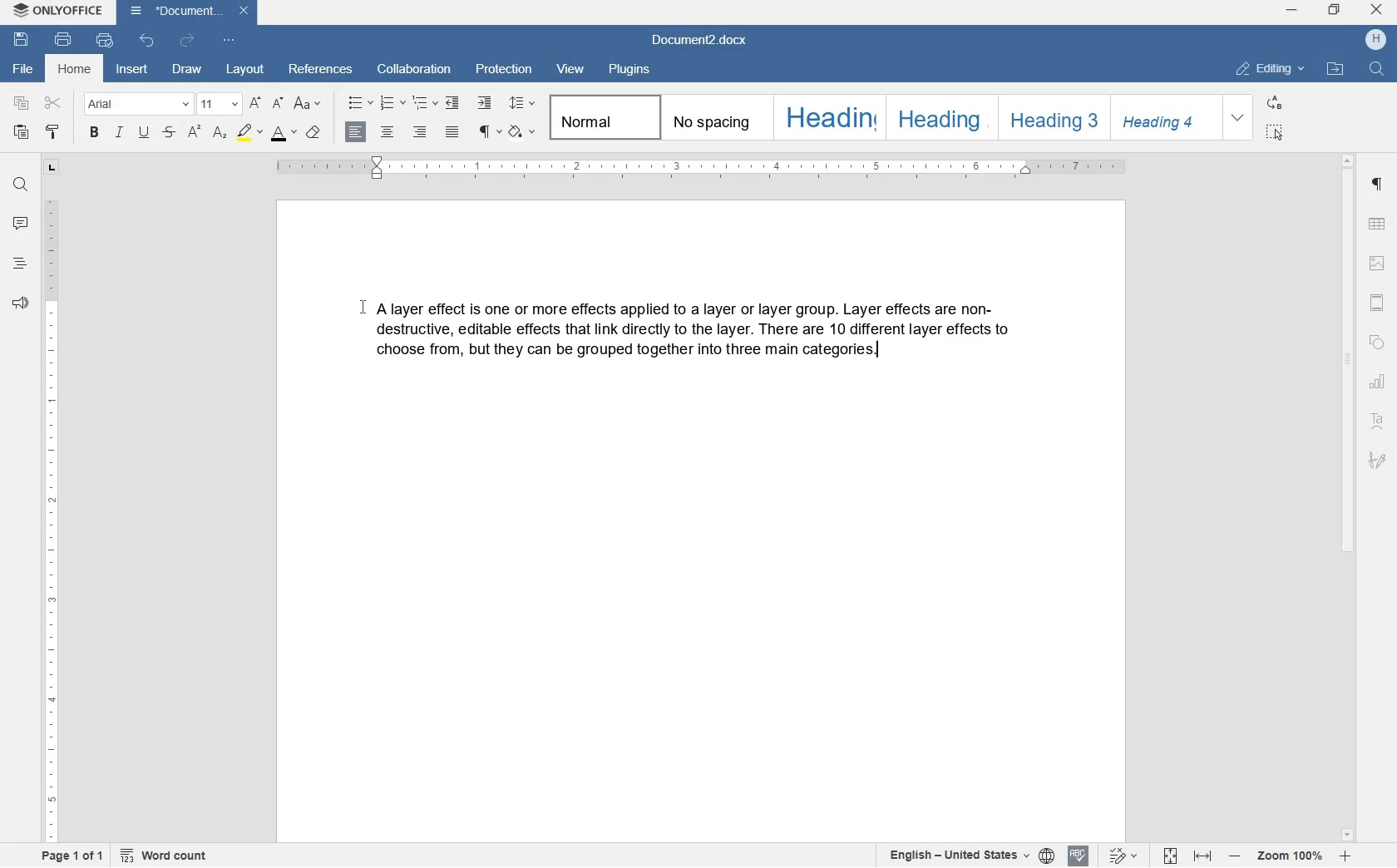 The width and height of the screenshot is (1397, 868). Describe the element at coordinates (1350, 496) in the screenshot. I see `scrollbar` at that location.